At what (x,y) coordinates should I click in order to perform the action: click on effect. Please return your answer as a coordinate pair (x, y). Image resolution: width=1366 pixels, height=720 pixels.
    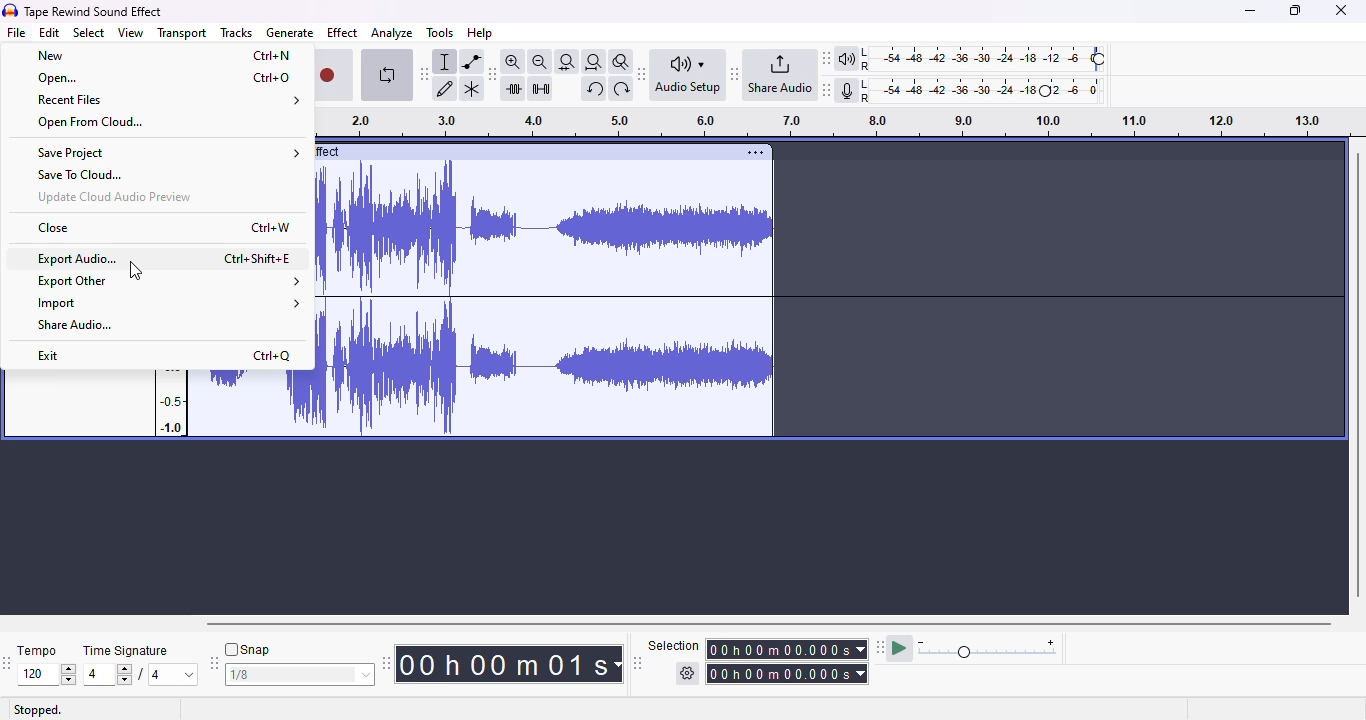
    Looking at the image, I should click on (342, 32).